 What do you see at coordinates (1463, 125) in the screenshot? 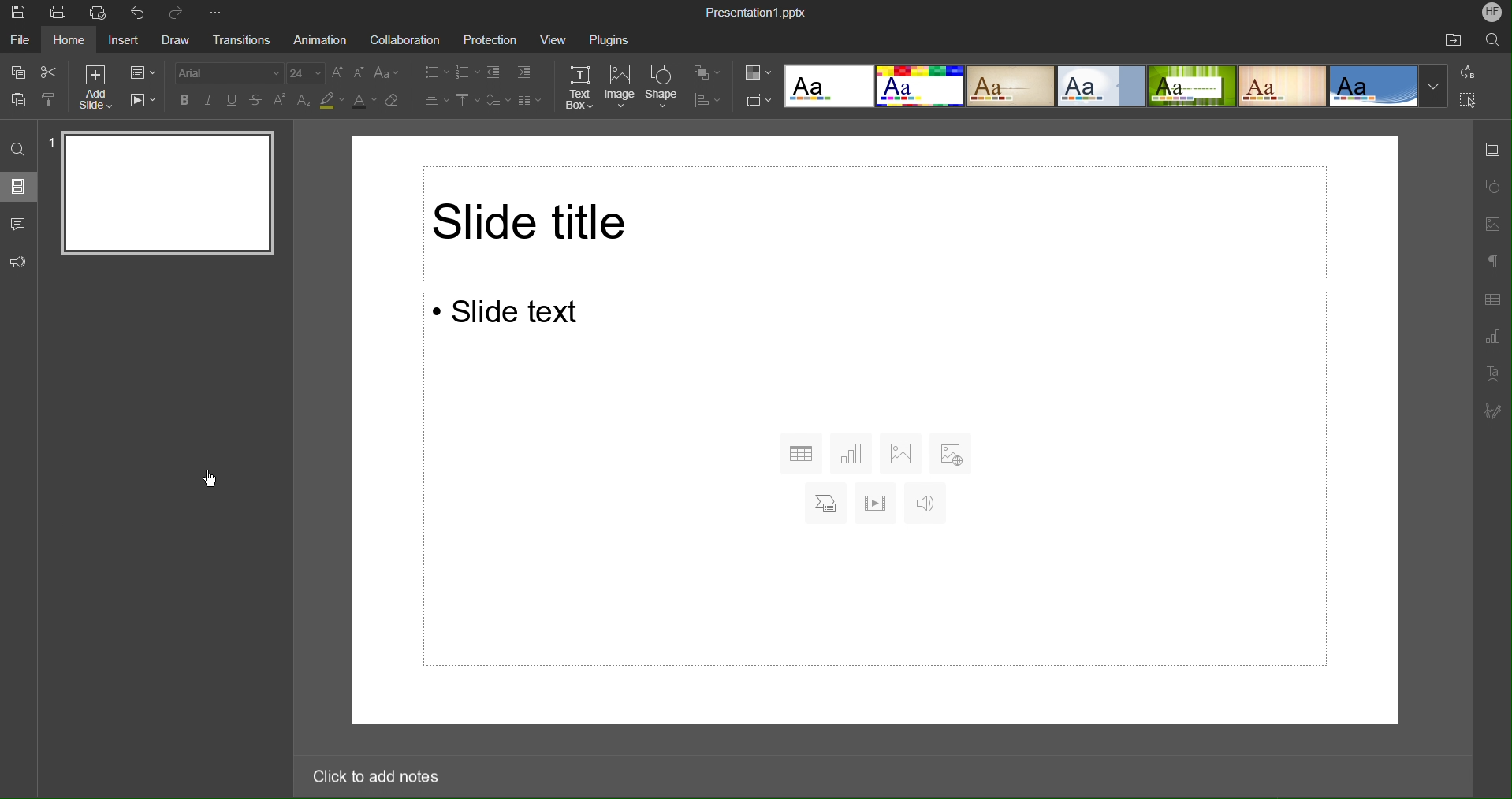
I see `scroll up` at bounding box center [1463, 125].